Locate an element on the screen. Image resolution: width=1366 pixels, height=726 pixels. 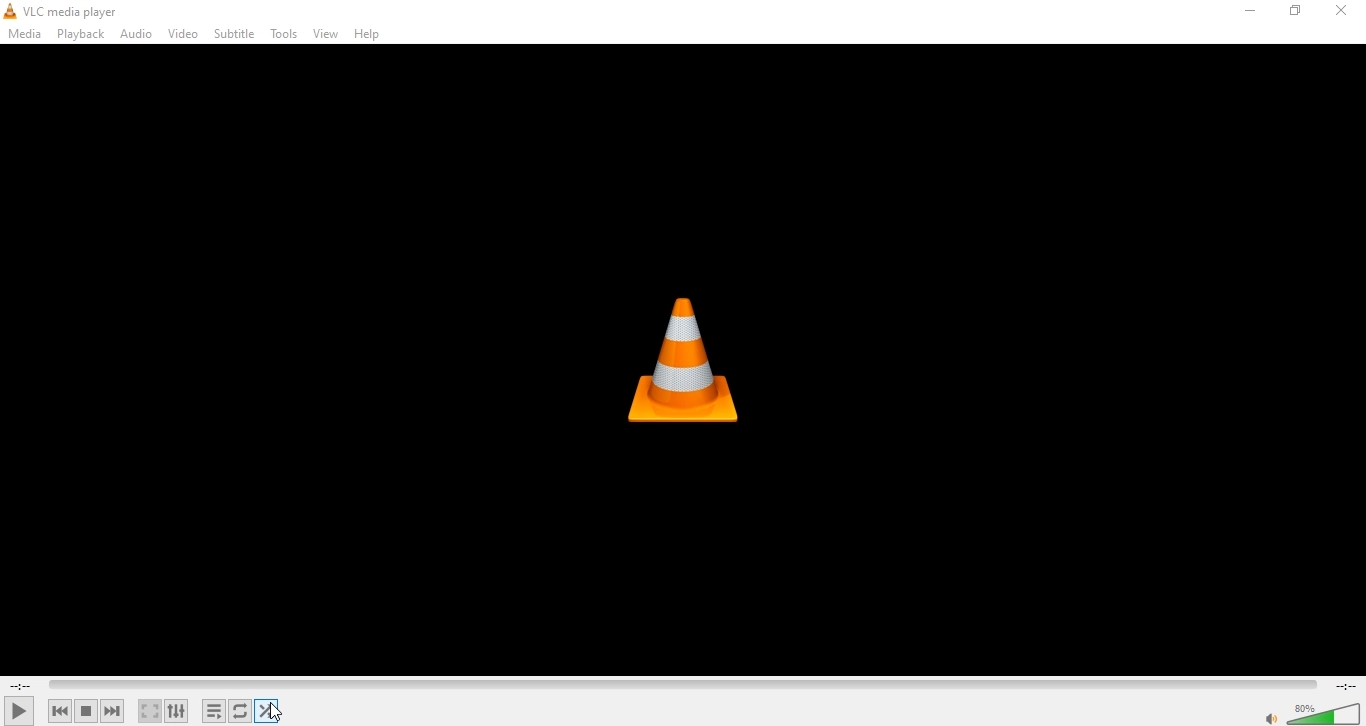
VLC media player icon image is located at coordinates (692, 359).